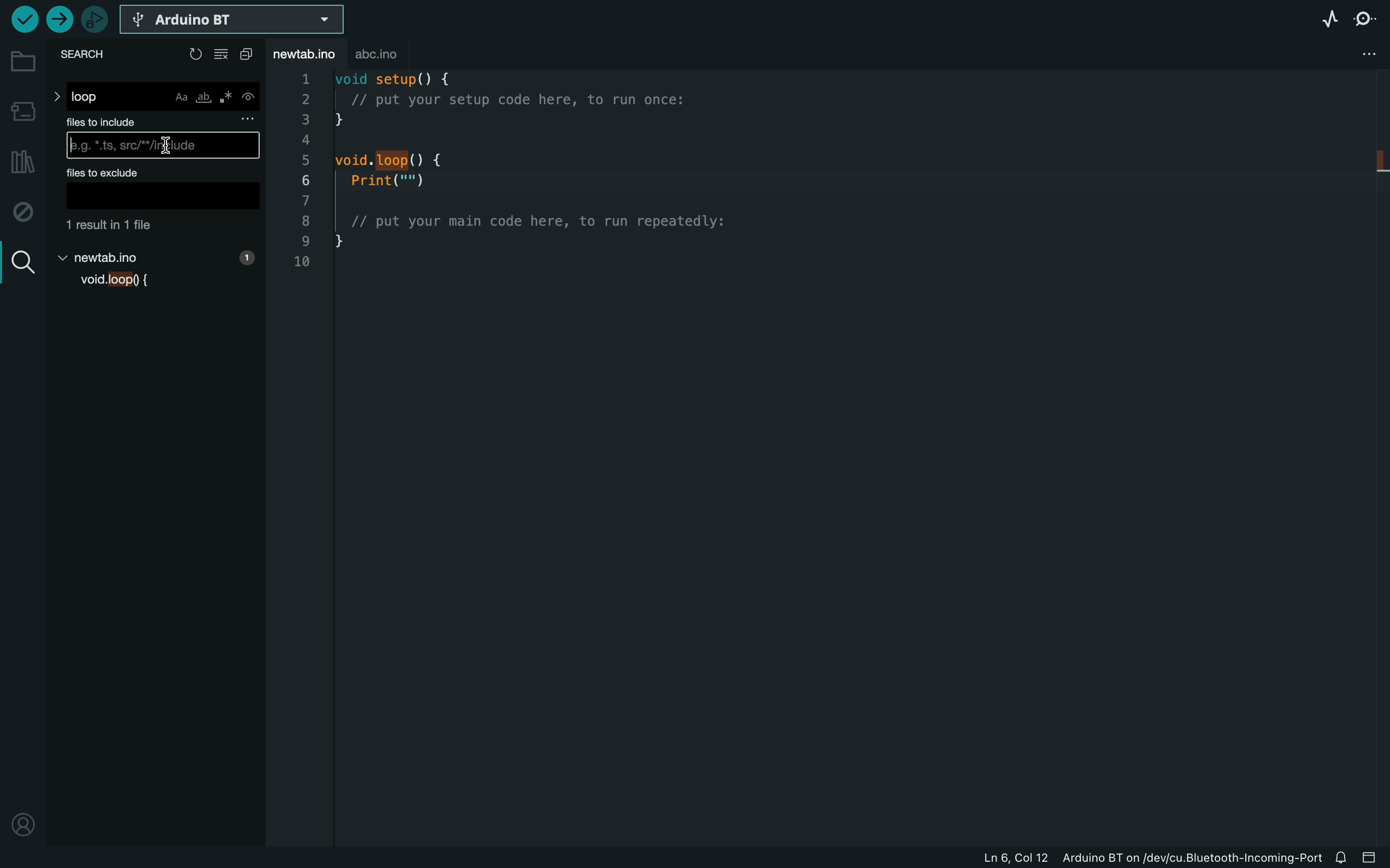  Describe the element at coordinates (61, 19) in the screenshot. I see `upload` at that location.